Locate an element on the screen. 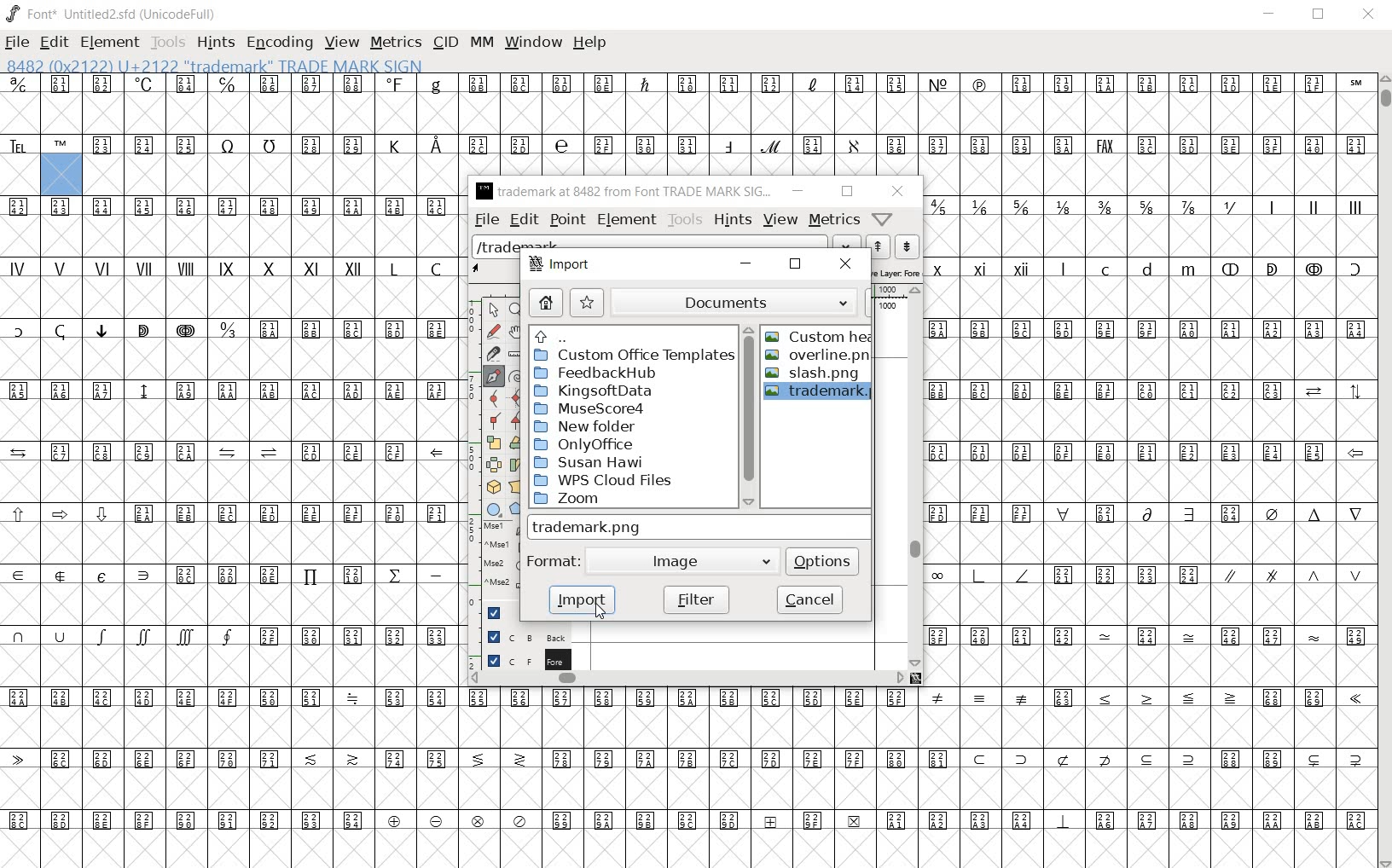  KingsoftData is located at coordinates (593, 391).